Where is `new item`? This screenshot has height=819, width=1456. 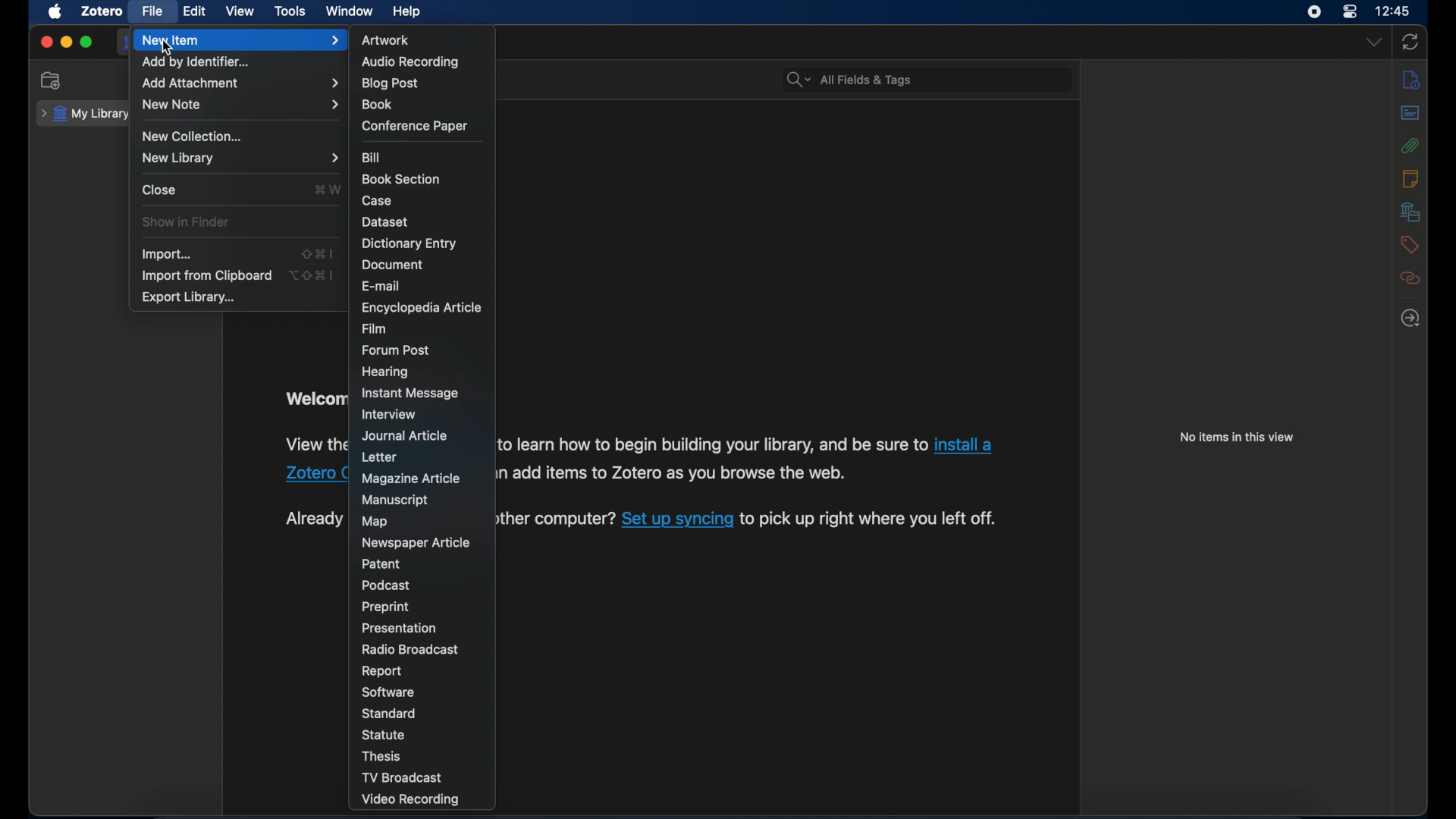 new item is located at coordinates (240, 39).